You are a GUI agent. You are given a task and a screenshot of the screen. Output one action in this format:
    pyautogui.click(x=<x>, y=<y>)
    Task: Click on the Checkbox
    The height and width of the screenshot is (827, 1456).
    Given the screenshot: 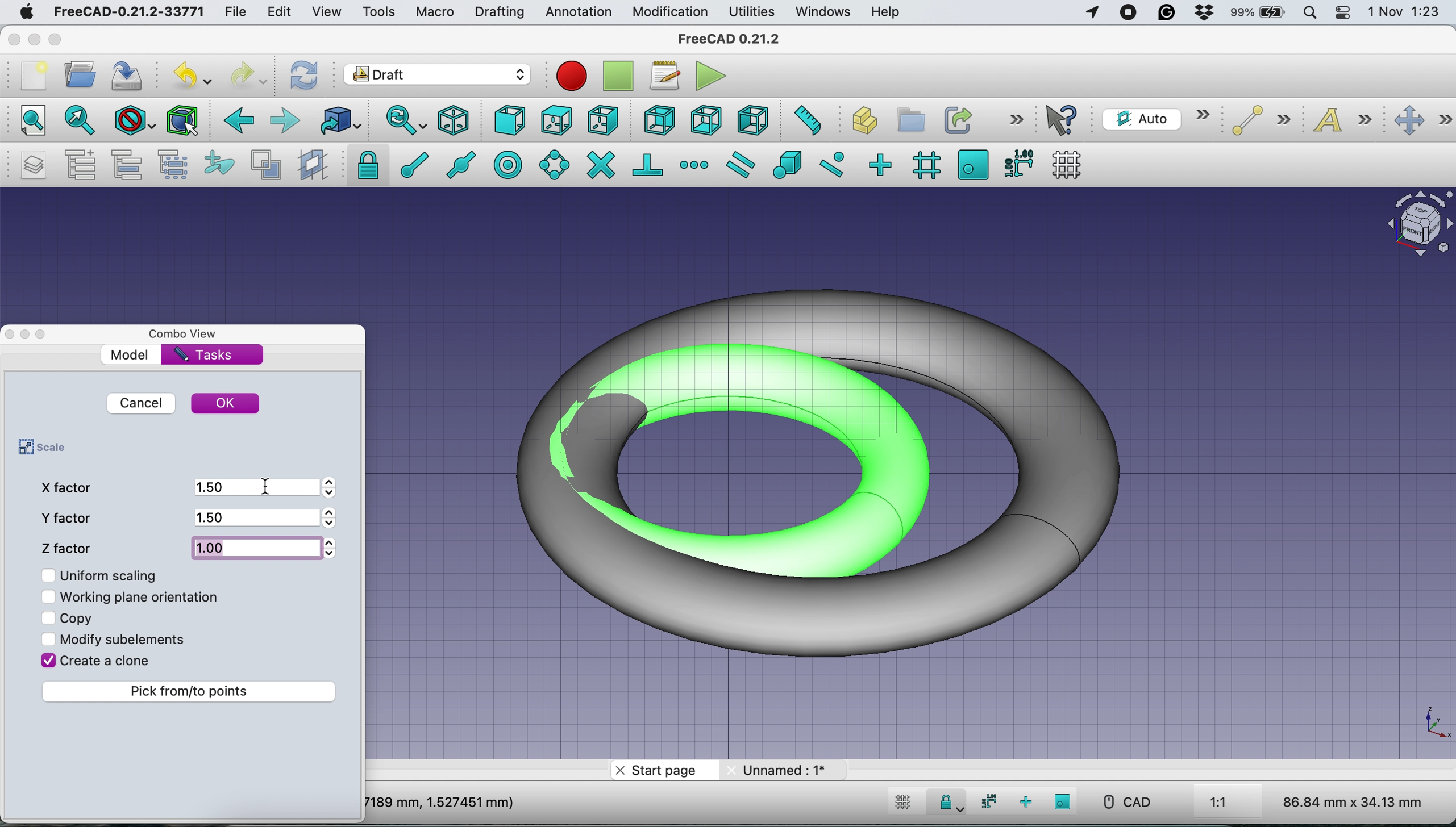 What is the action you would take?
    pyautogui.click(x=49, y=597)
    